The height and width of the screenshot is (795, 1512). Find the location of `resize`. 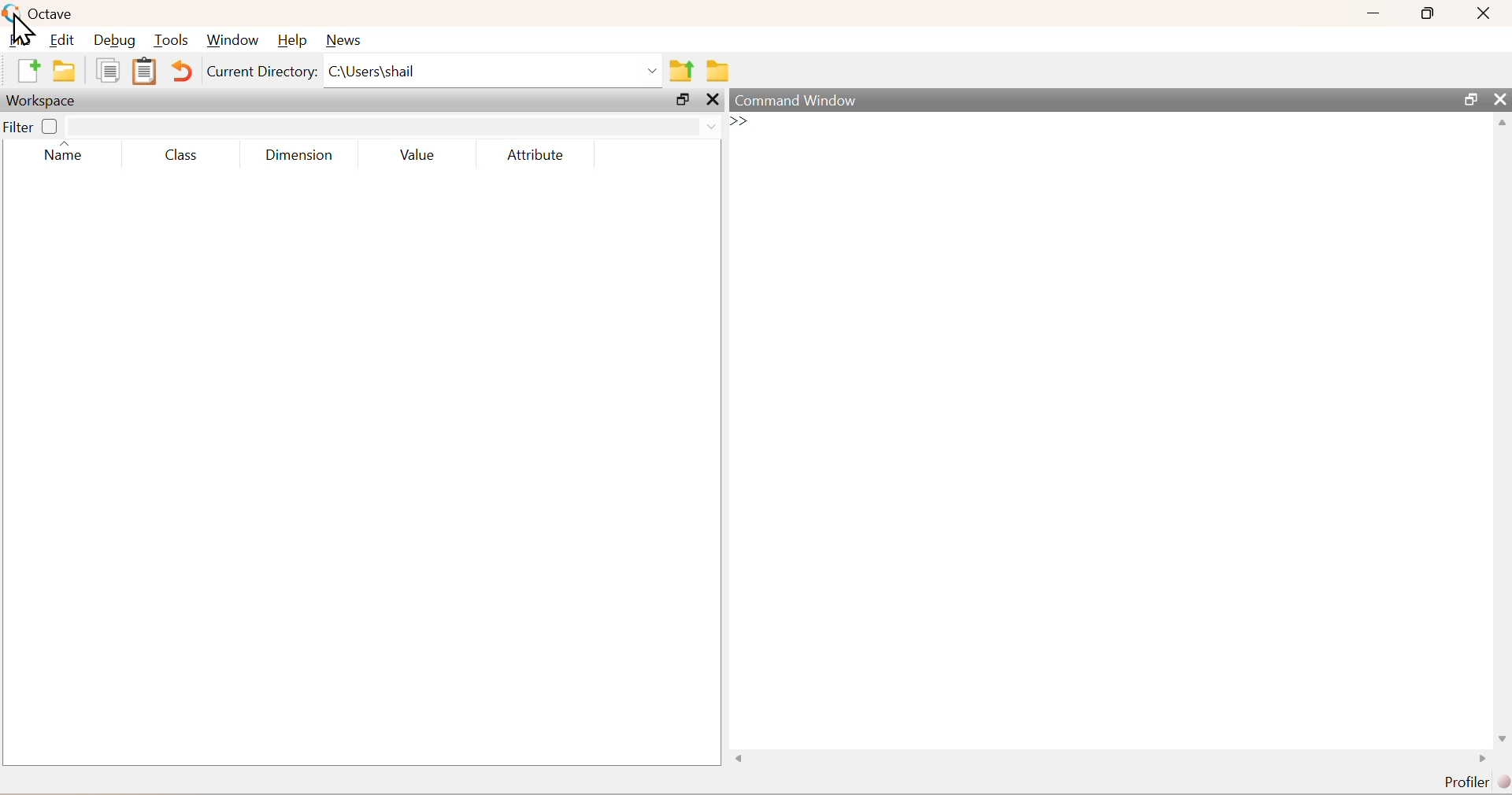

resize is located at coordinates (1469, 99).